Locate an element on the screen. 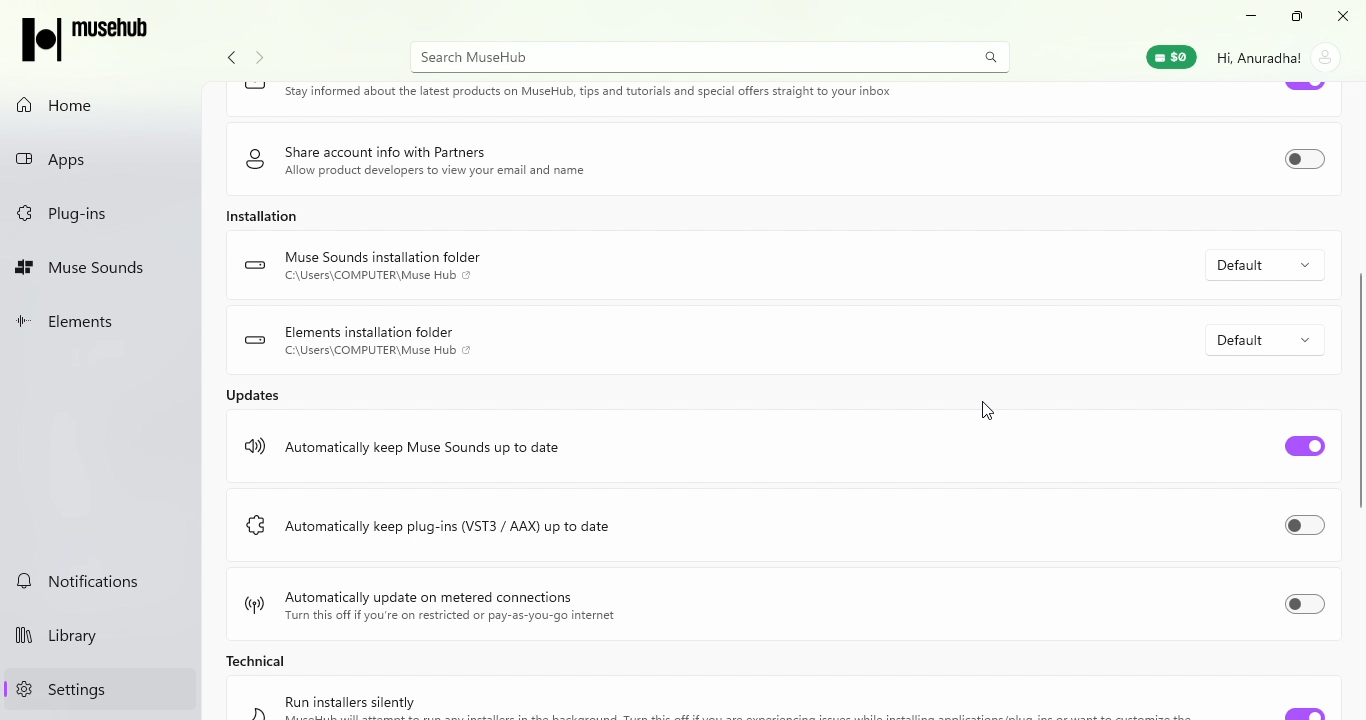 The width and height of the screenshot is (1366, 720). logo is located at coordinates (256, 341).